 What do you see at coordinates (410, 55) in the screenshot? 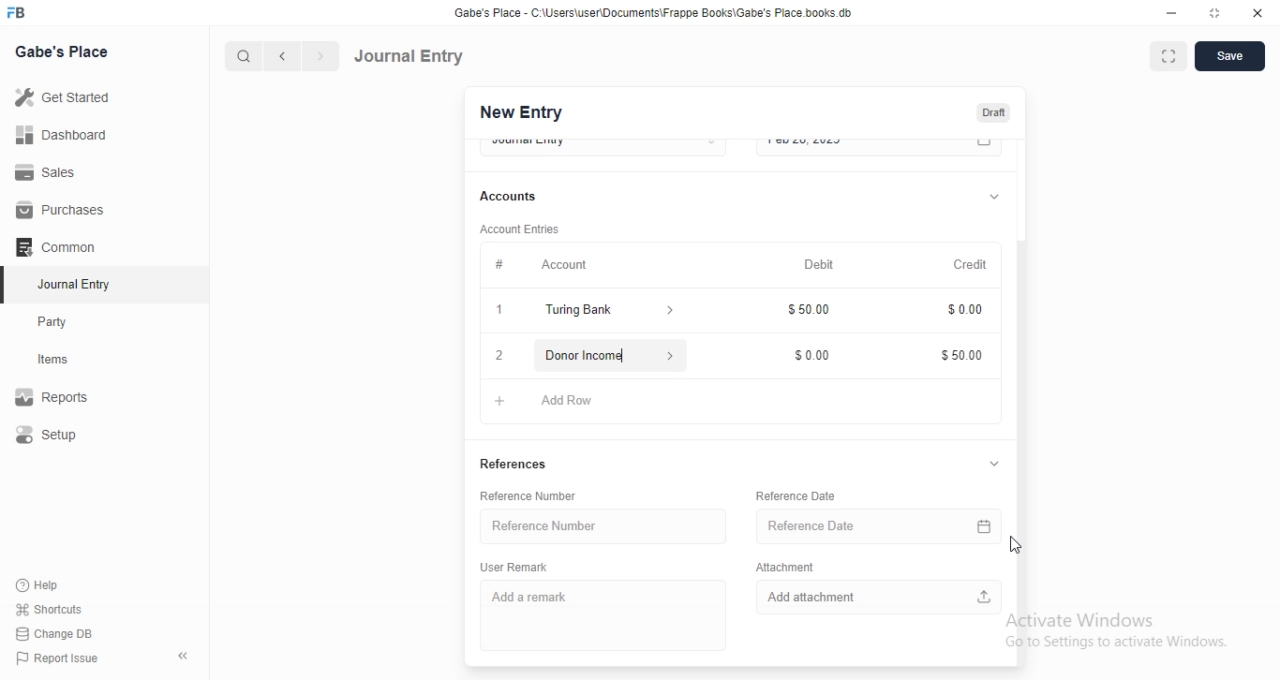
I see `Journal Entry` at bounding box center [410, 55].